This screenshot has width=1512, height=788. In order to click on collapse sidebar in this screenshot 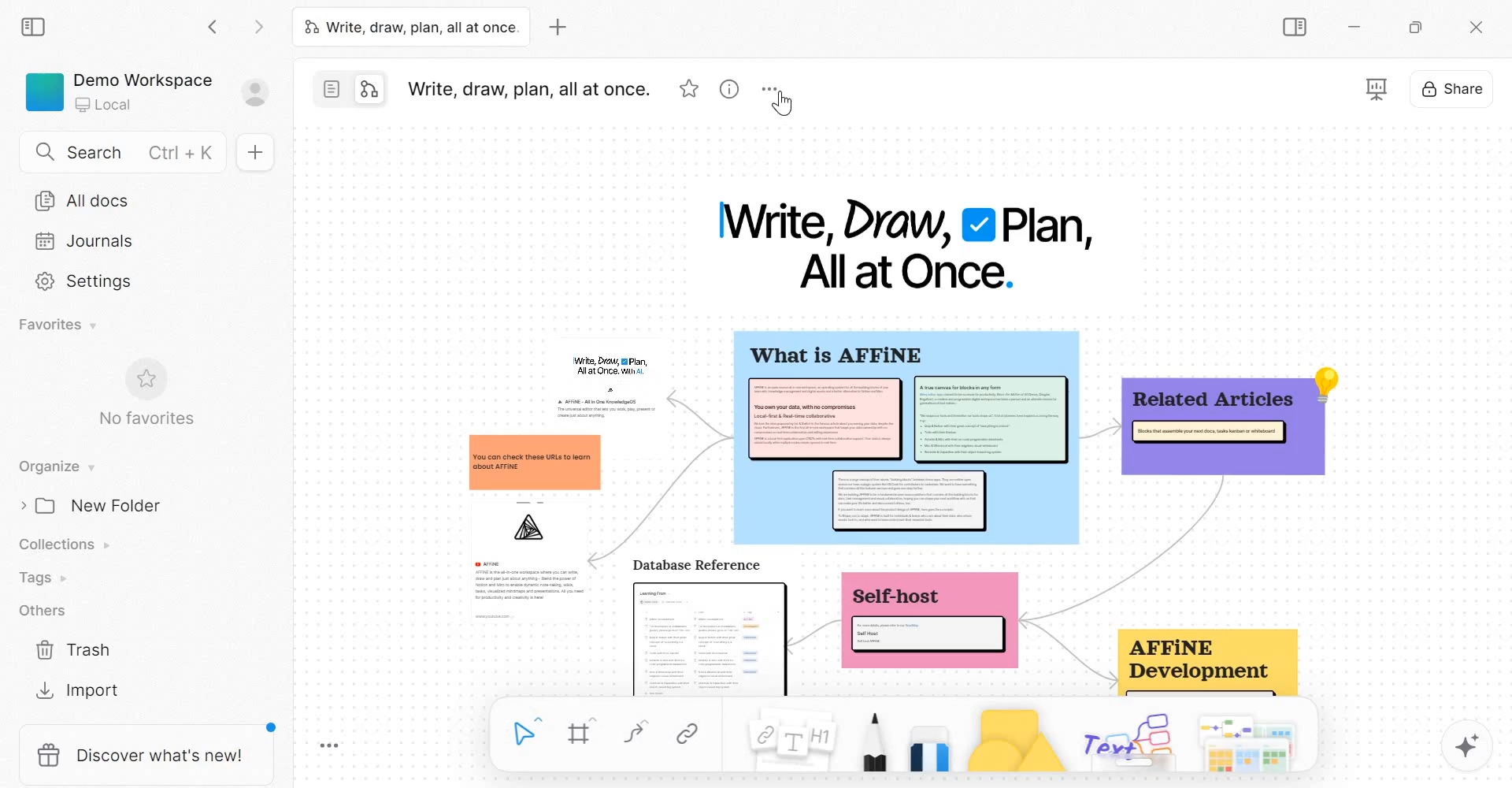, I will do `click(34, 28)`.